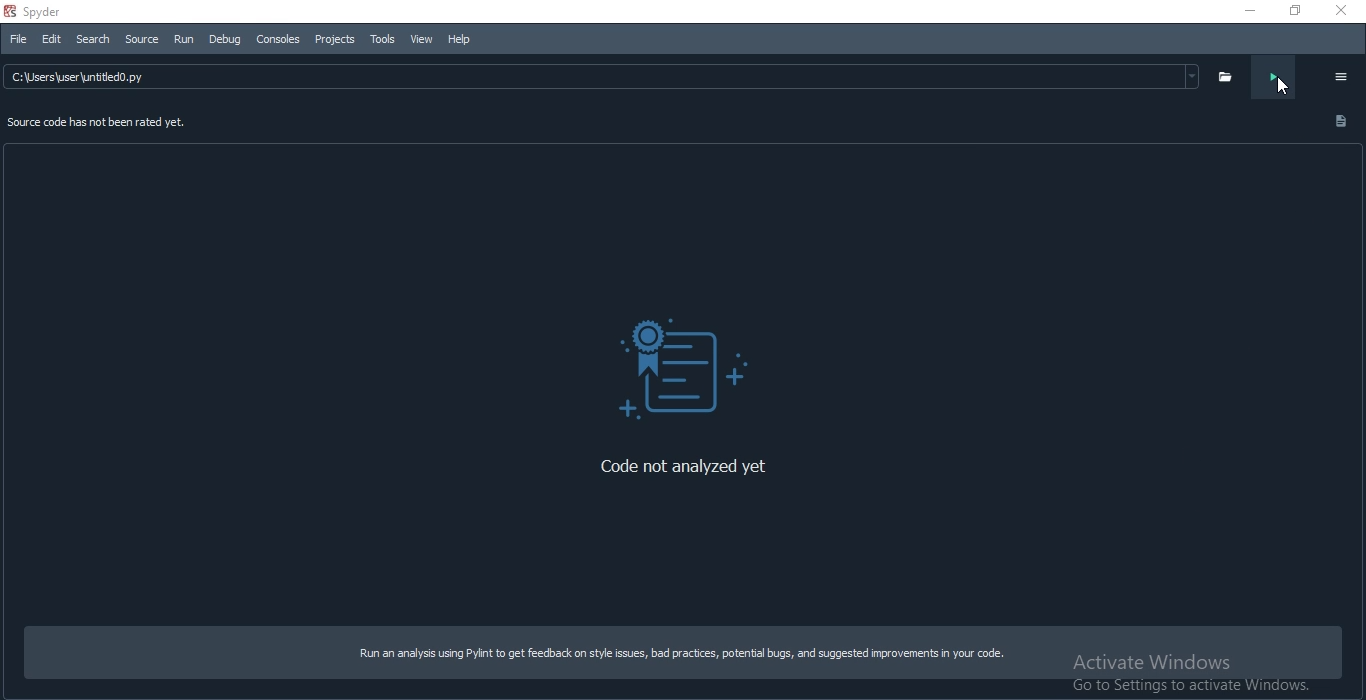 The width and height of the screenshot is (1366, 700). What do you see at coordinates (90, 39) in the screenshot?
I see `search` at bounding box center [90, 39].